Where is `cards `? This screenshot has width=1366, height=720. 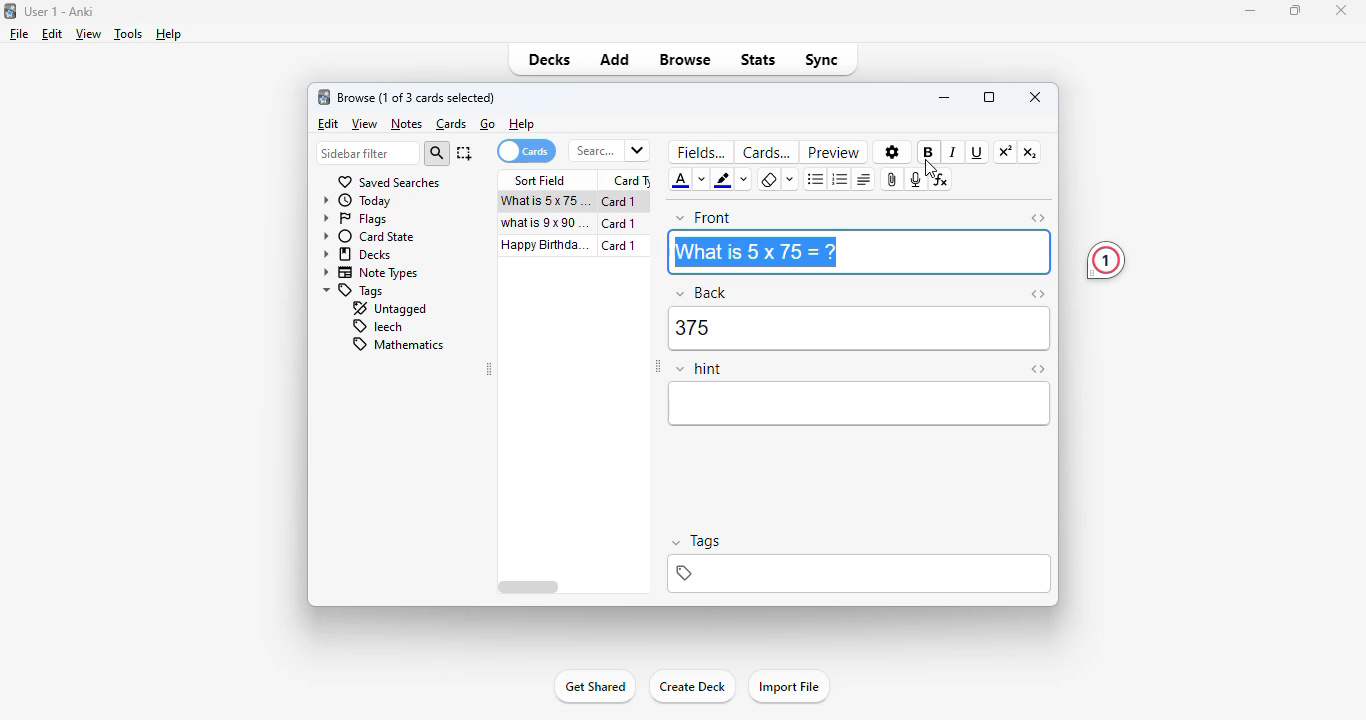 cards  is located at coordinates (766, 153).